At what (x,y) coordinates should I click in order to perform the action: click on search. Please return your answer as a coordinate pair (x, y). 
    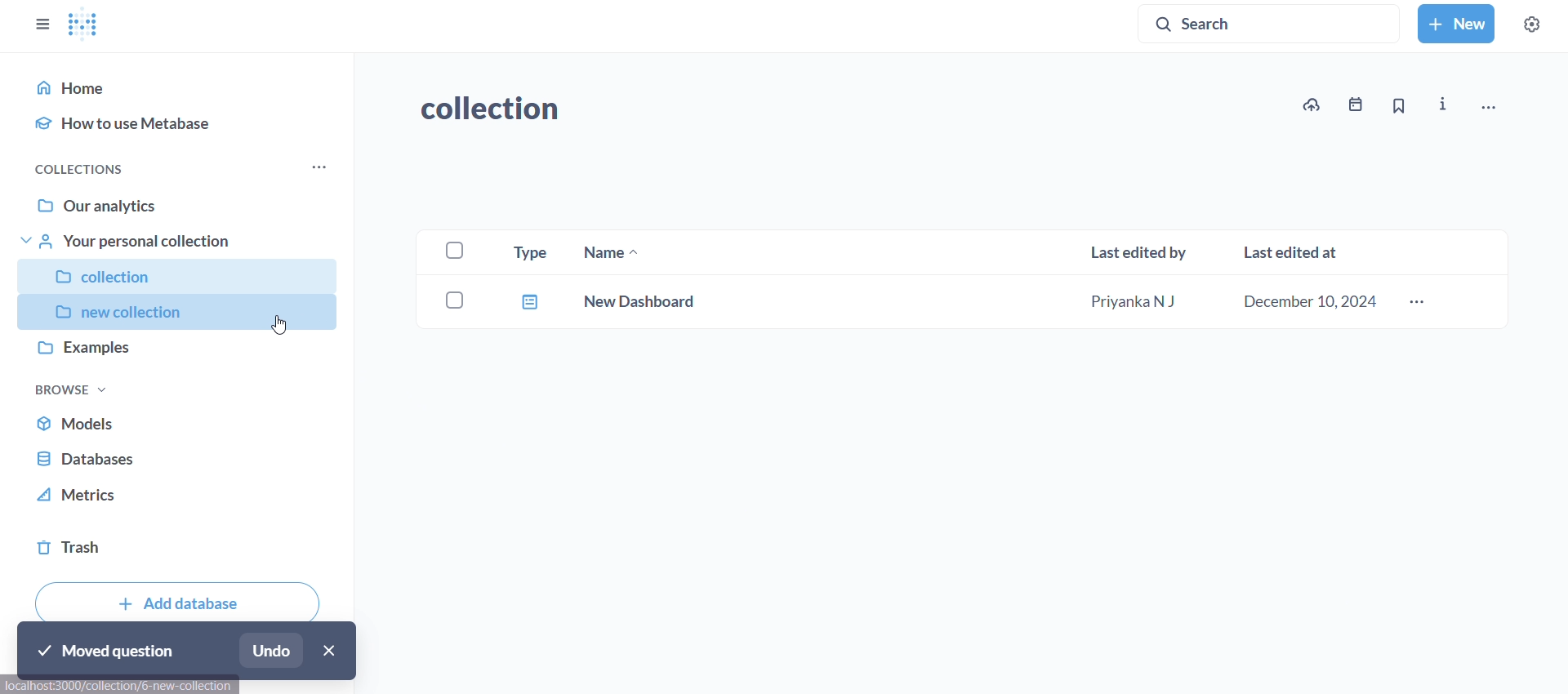
    Looking at the image, I should click on (1272, 22).